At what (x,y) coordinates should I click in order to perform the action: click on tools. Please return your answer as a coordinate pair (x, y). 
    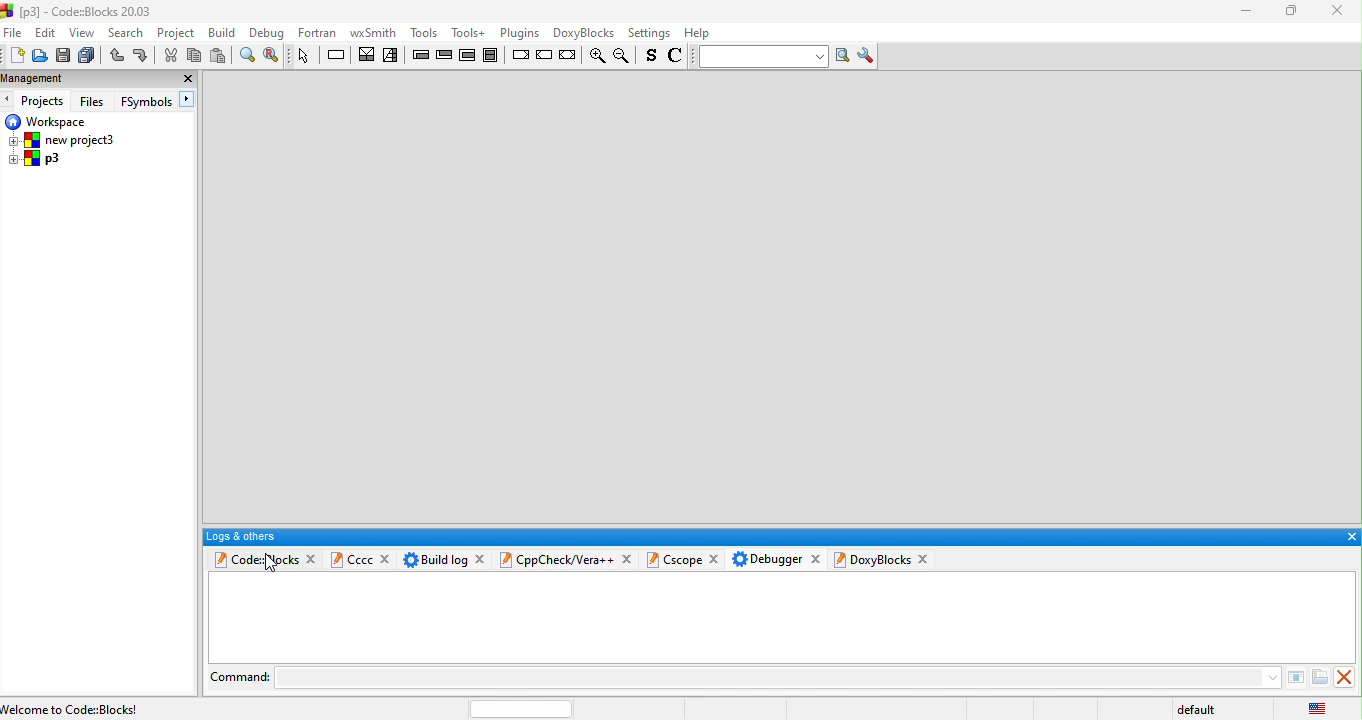
    Looking at the image, I should click on (423, 30).